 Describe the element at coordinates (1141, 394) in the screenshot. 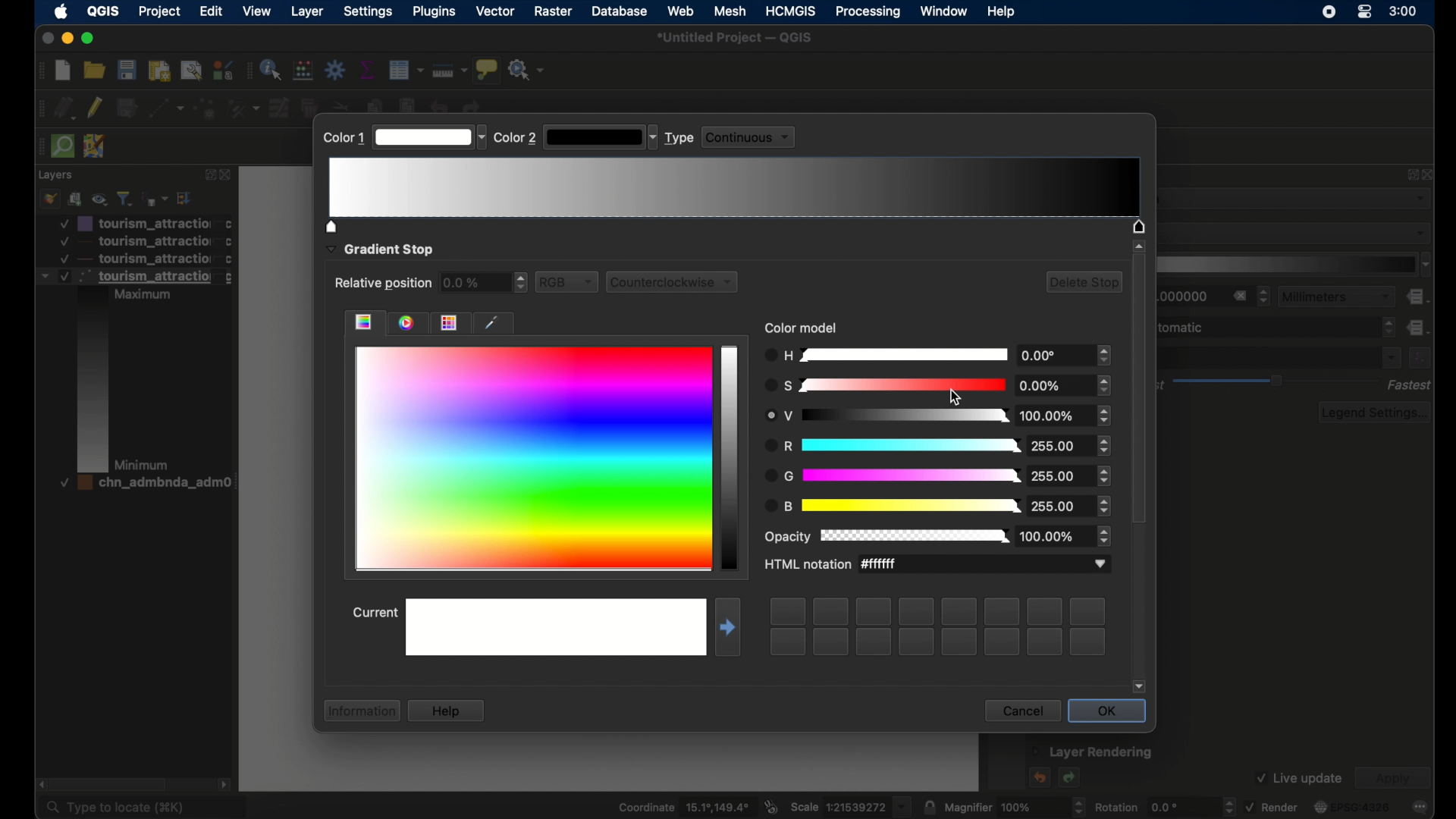

I see `scroll box` at that location.